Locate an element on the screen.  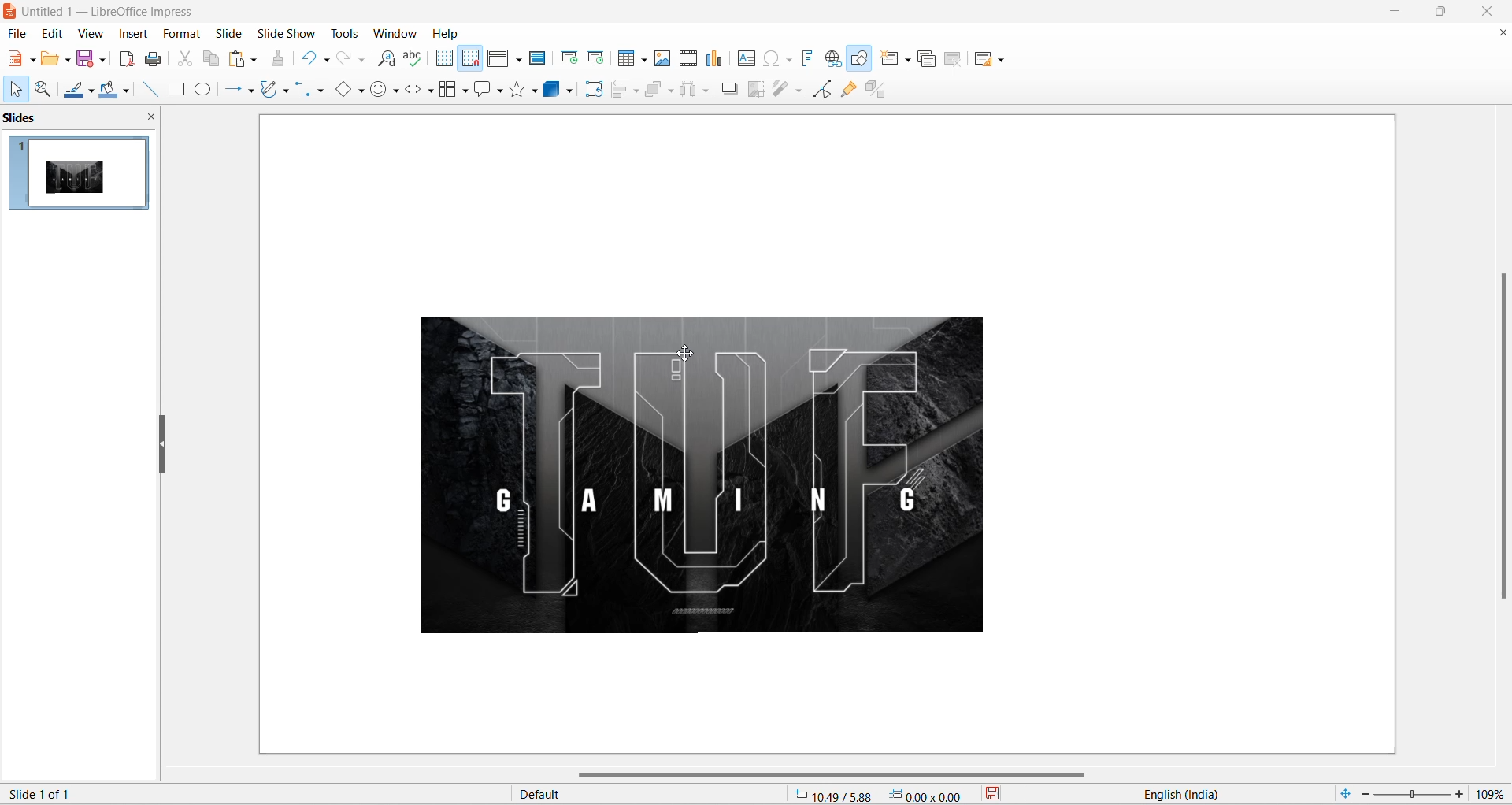
redo is located at coordinates (344, 59).